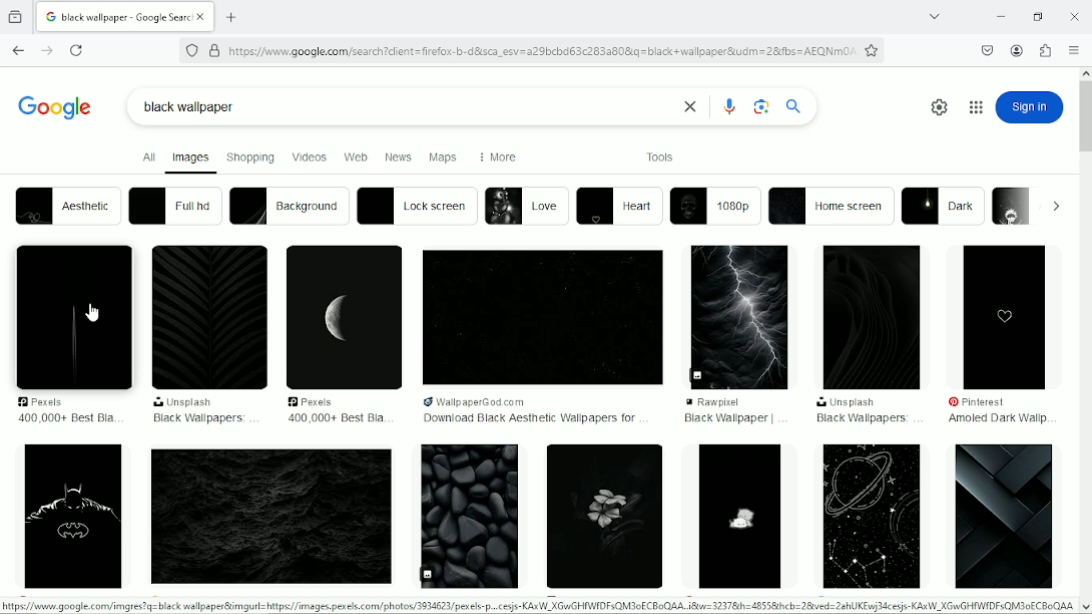  Describe the element at coordinates (541, 51) in the screenshot. I see `https://www.google.com/search client=firefox-b-d&sca_esv=a29bcbd63 c283a80&q back+wallpaper &udm=2&fbs=aeqnmoa` at that location.